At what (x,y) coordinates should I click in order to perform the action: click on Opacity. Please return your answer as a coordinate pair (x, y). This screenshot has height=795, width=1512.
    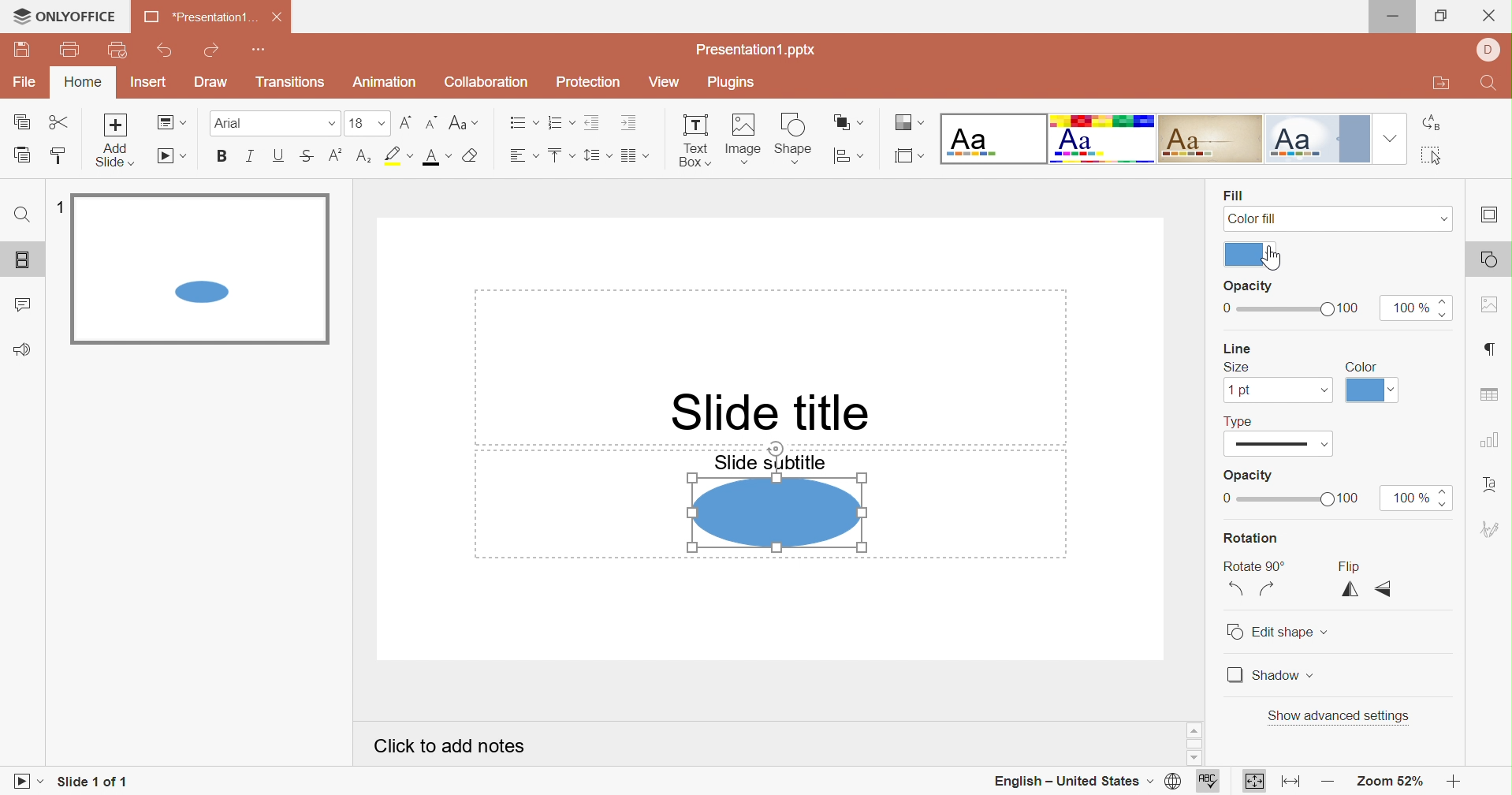
    Looking at the image, I should click on (1247, 288).